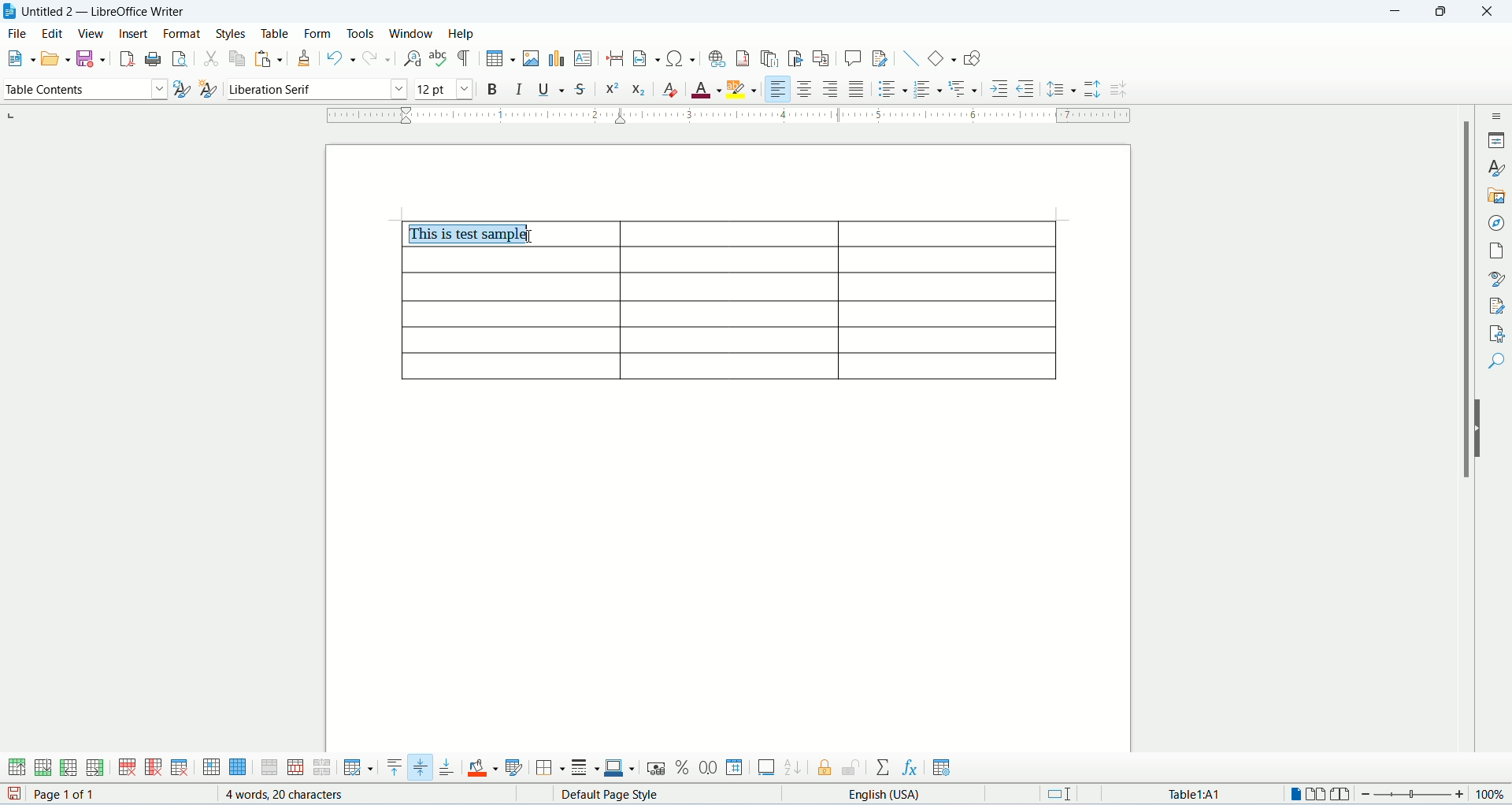 This screenshot has width=1512, height=805. I want to click on split table, so click(322, 768).